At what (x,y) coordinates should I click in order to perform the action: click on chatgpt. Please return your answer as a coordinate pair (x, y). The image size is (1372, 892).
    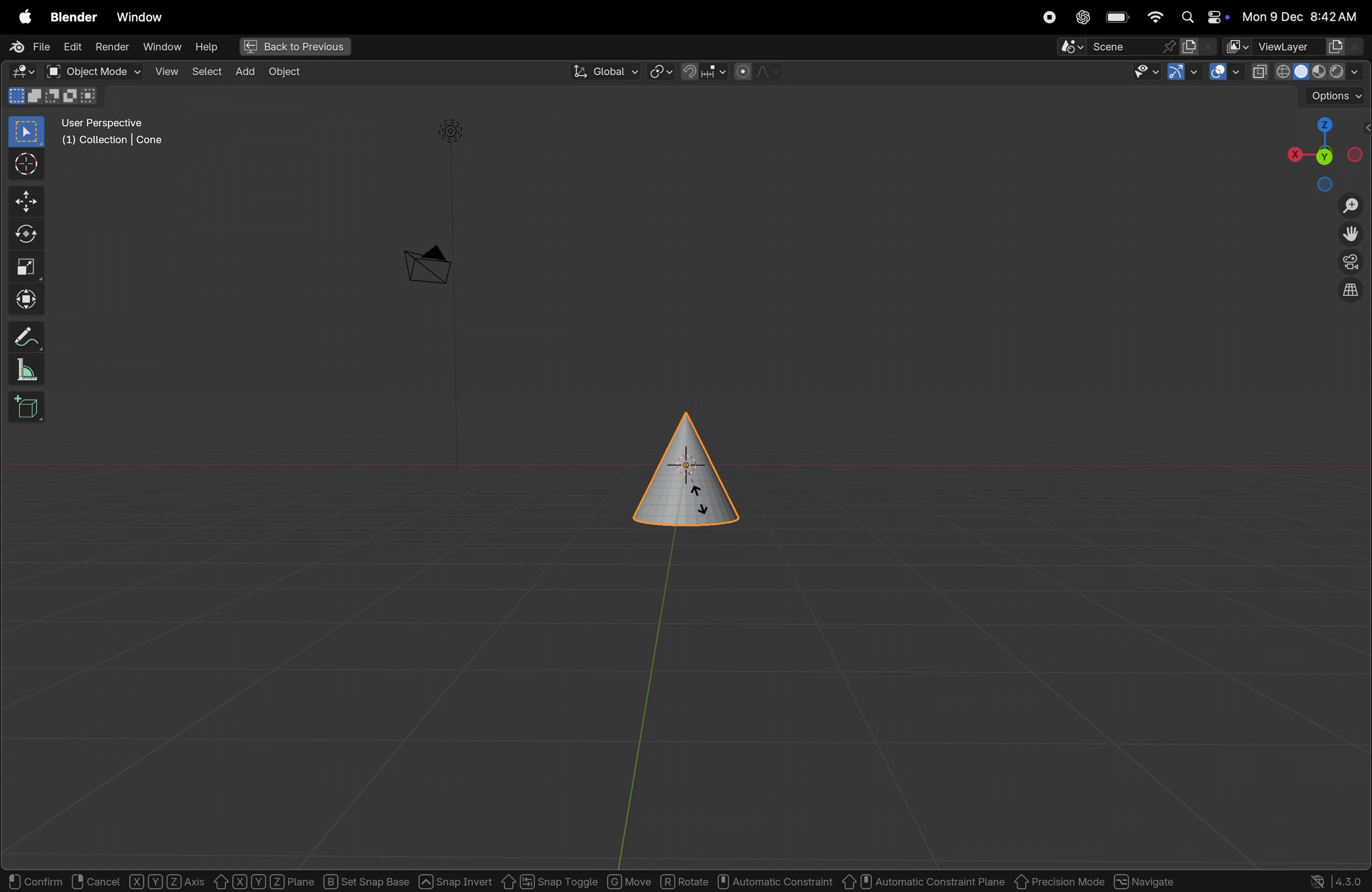
    Looking at the image, I should click on (1083, 17).